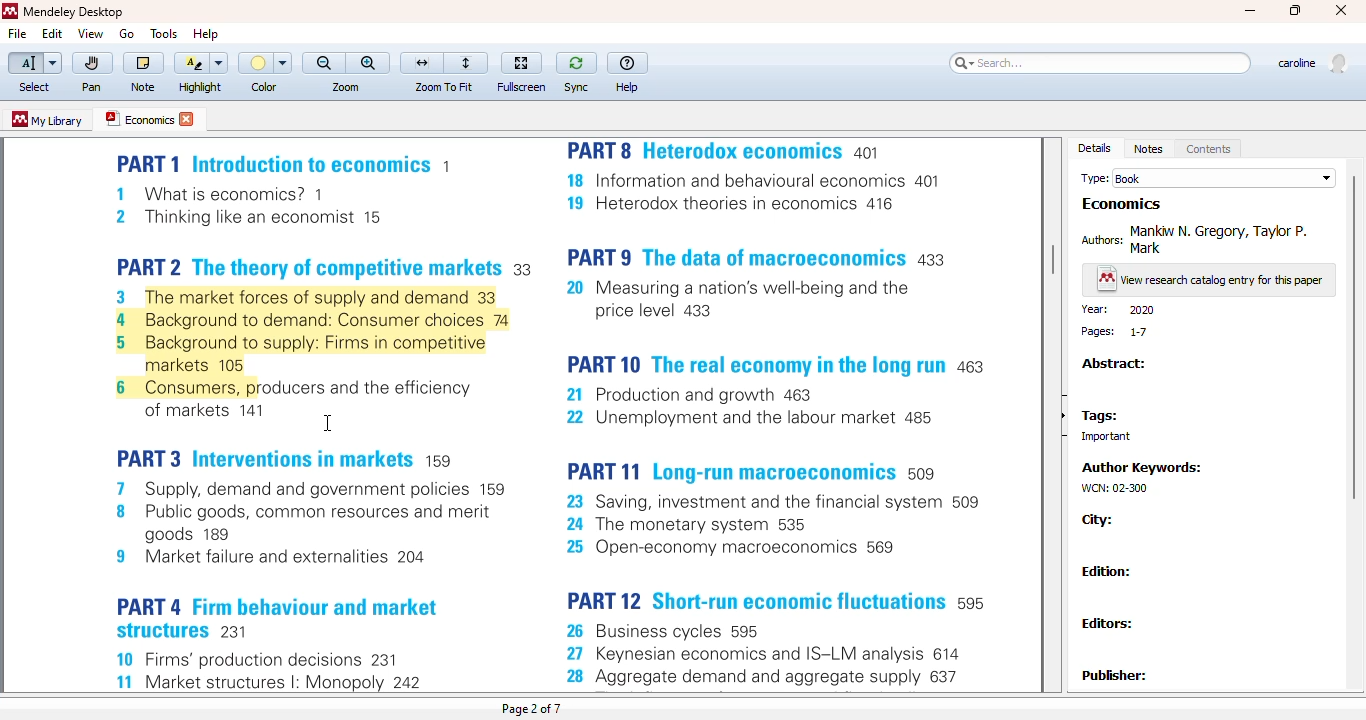  Describe the element at coordinates (1110, 622) in the screenshot. I see `editors` at that location.